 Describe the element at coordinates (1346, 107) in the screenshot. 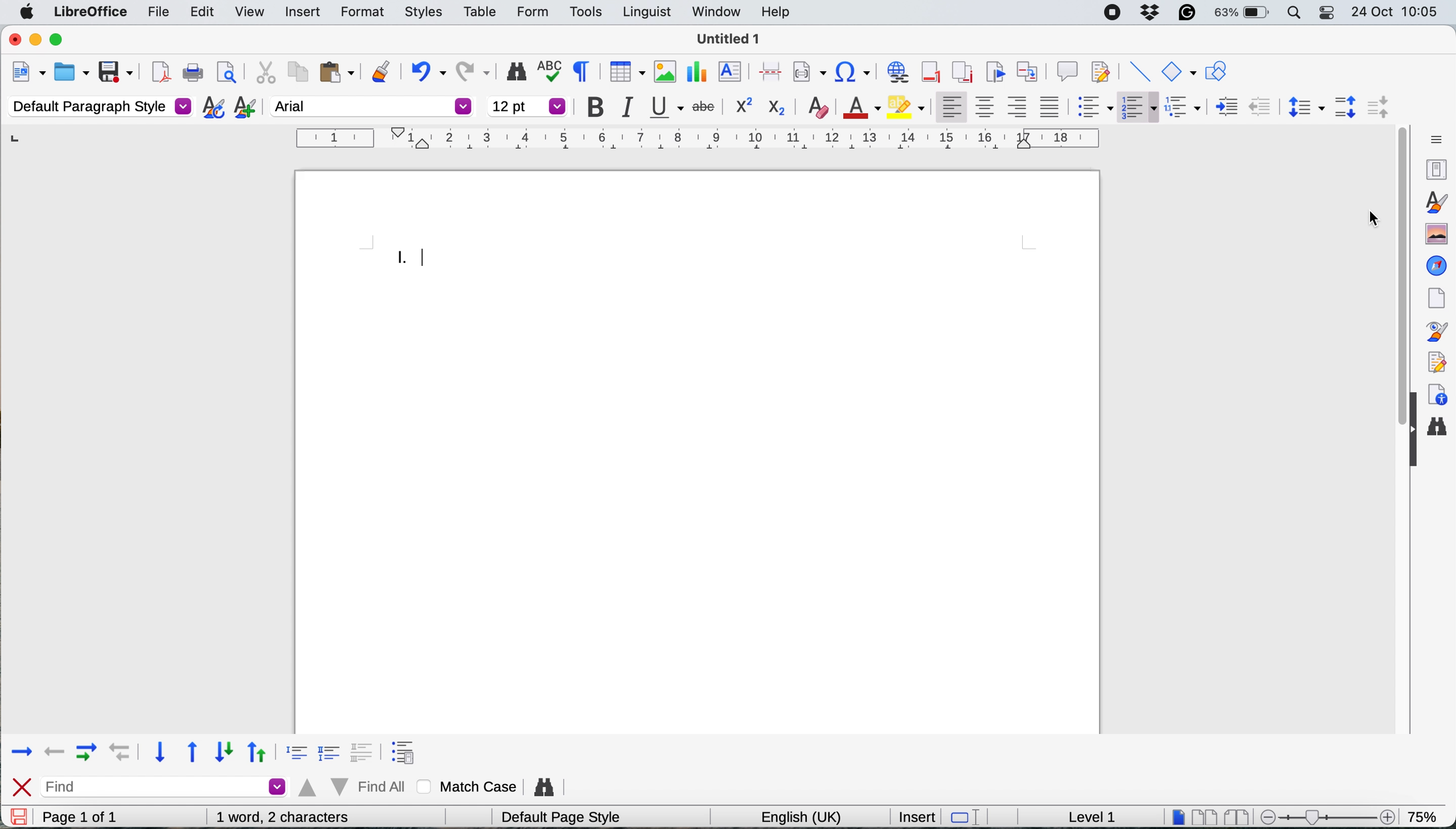

I see `increase paragraph spacing` at that location.